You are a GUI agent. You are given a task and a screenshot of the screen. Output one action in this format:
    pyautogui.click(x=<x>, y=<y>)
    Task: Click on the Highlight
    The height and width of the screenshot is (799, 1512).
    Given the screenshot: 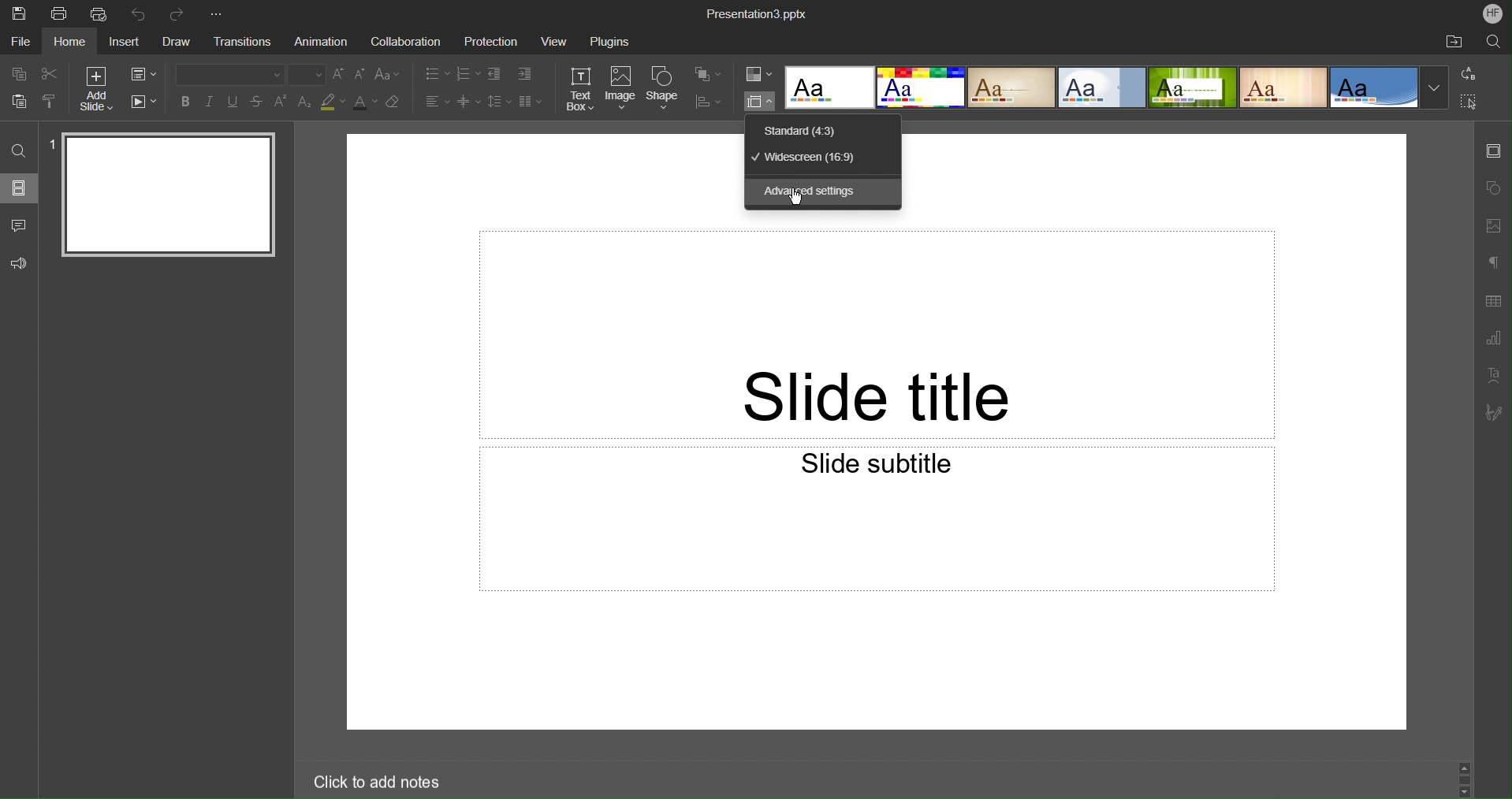 What is the action you would take?
    pyautogui.click(x=333, y=103)
    